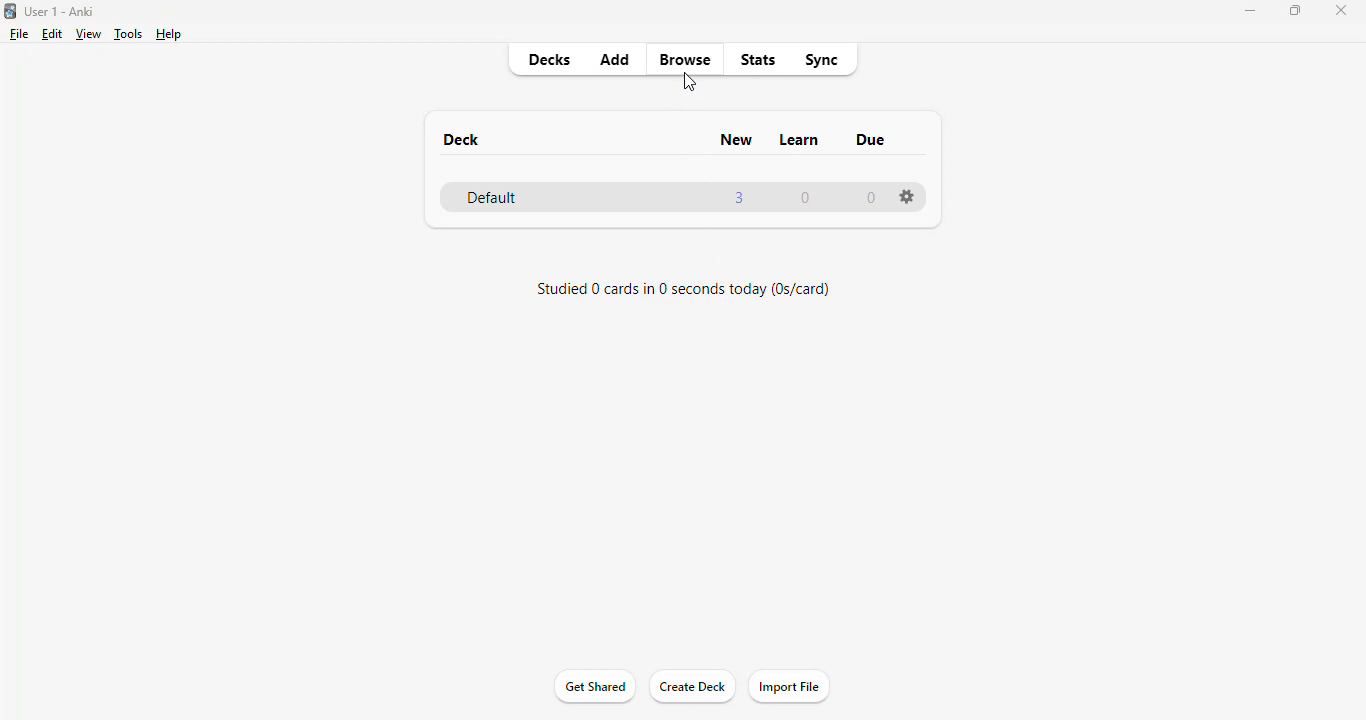 The image size is (1366, 720). What do you see at coordinates (597, 687) in the screenshot?
I see `get shared` at bounding box center [597, 687].